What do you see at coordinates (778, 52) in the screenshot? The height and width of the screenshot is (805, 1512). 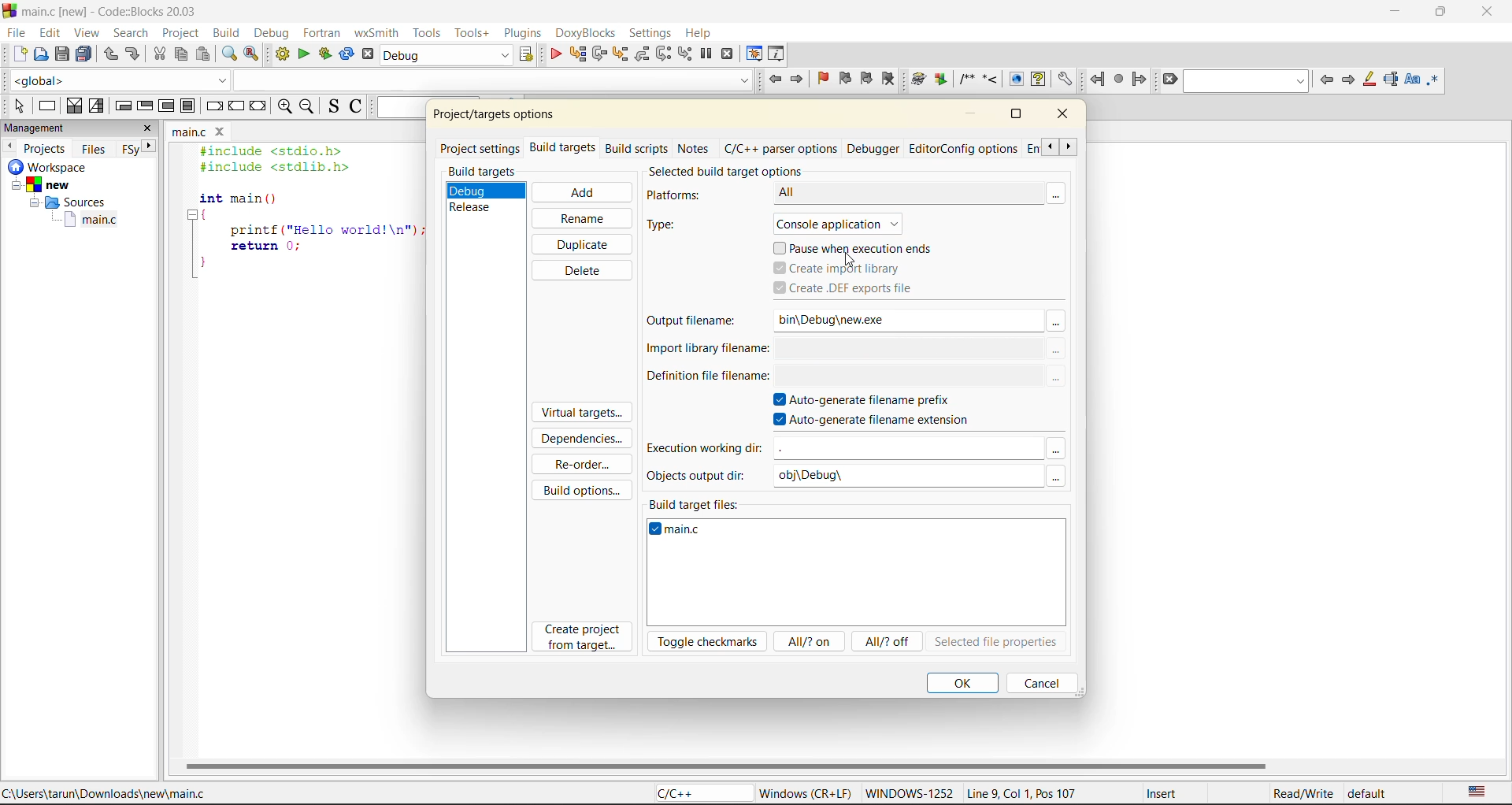 I see `various info` at bounding box center [778, 52].